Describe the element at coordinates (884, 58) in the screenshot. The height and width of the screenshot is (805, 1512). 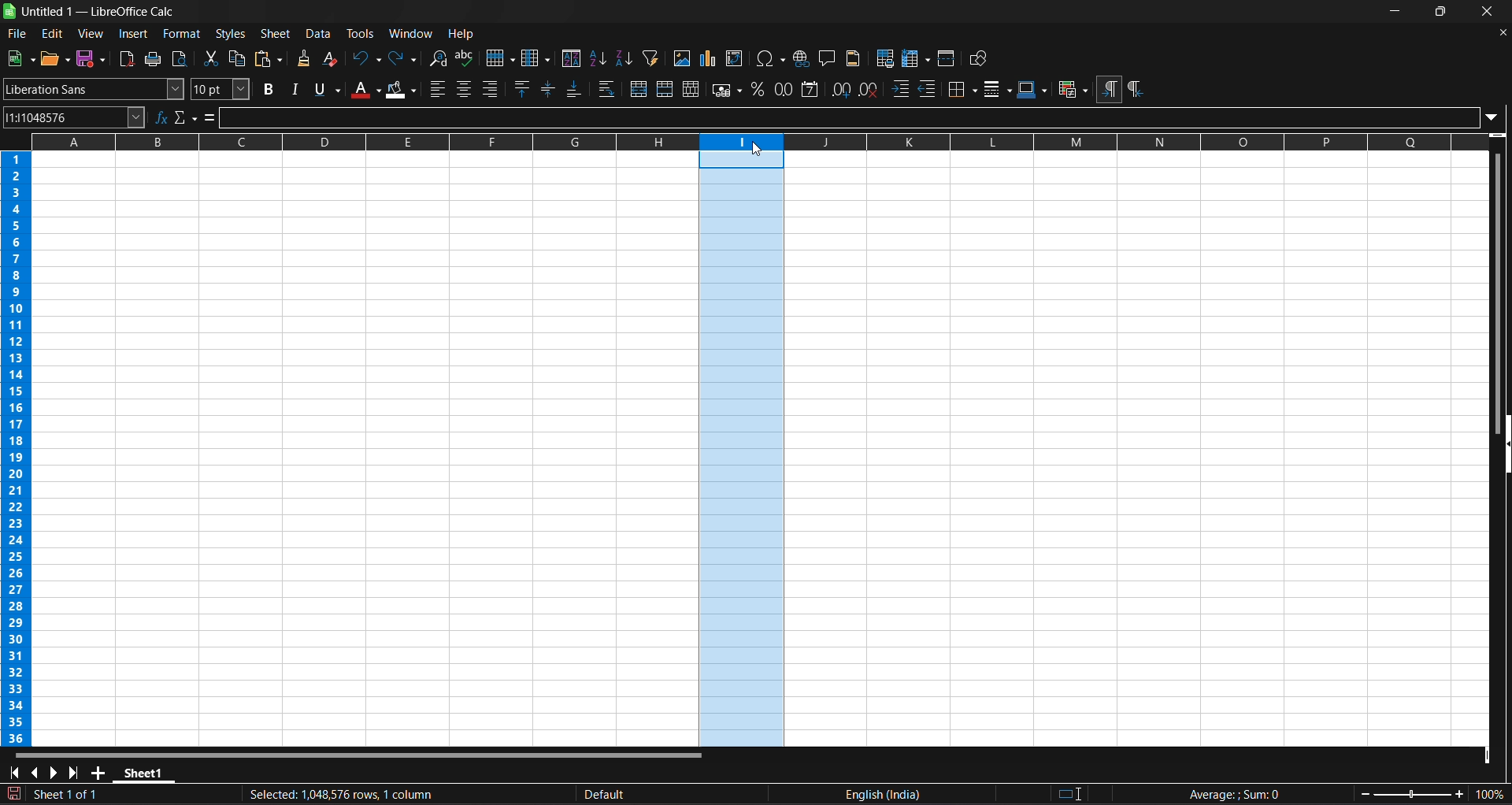
I see `define print area` at that location.